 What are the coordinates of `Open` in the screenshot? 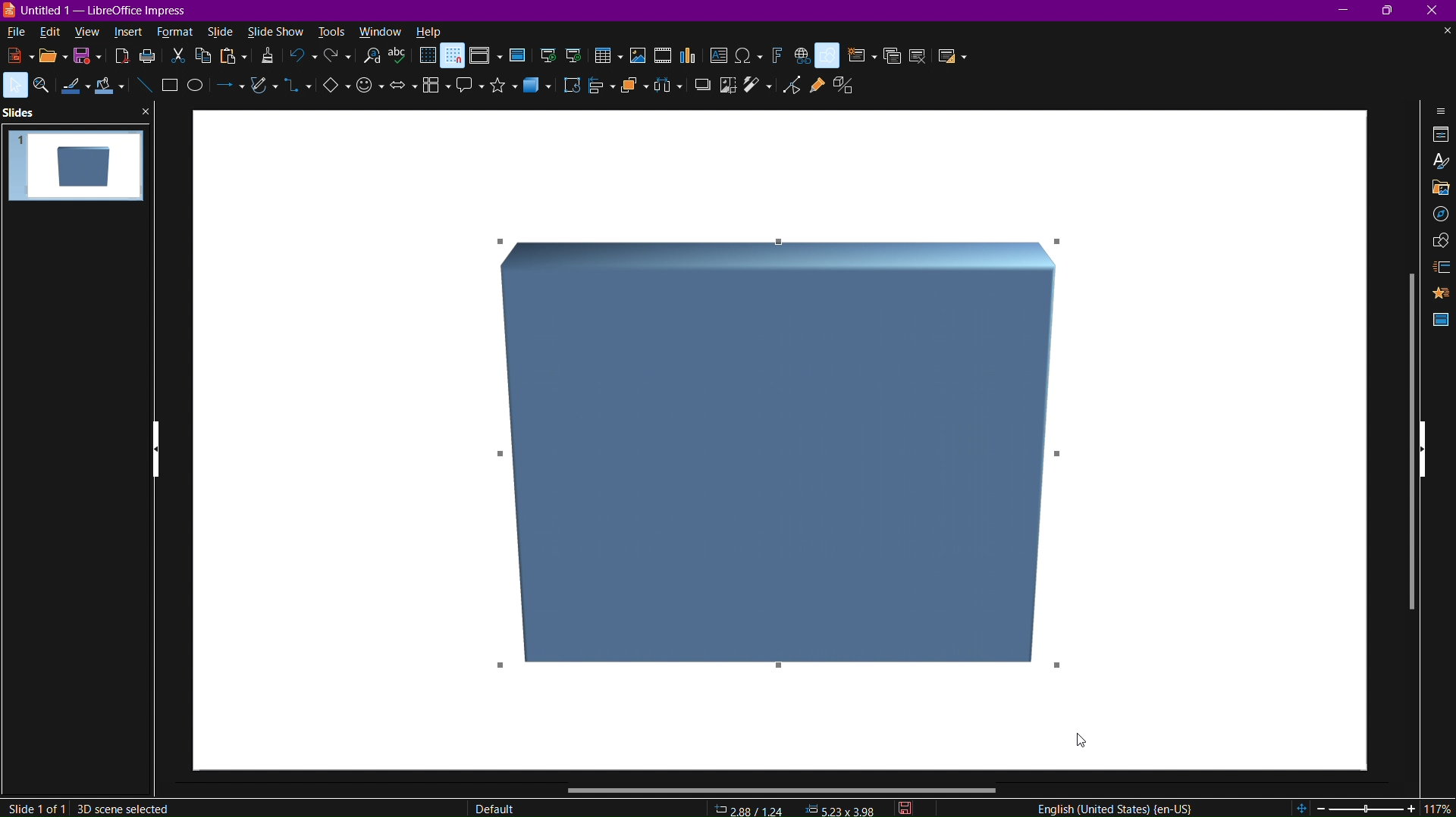 It's located at (49, 57).